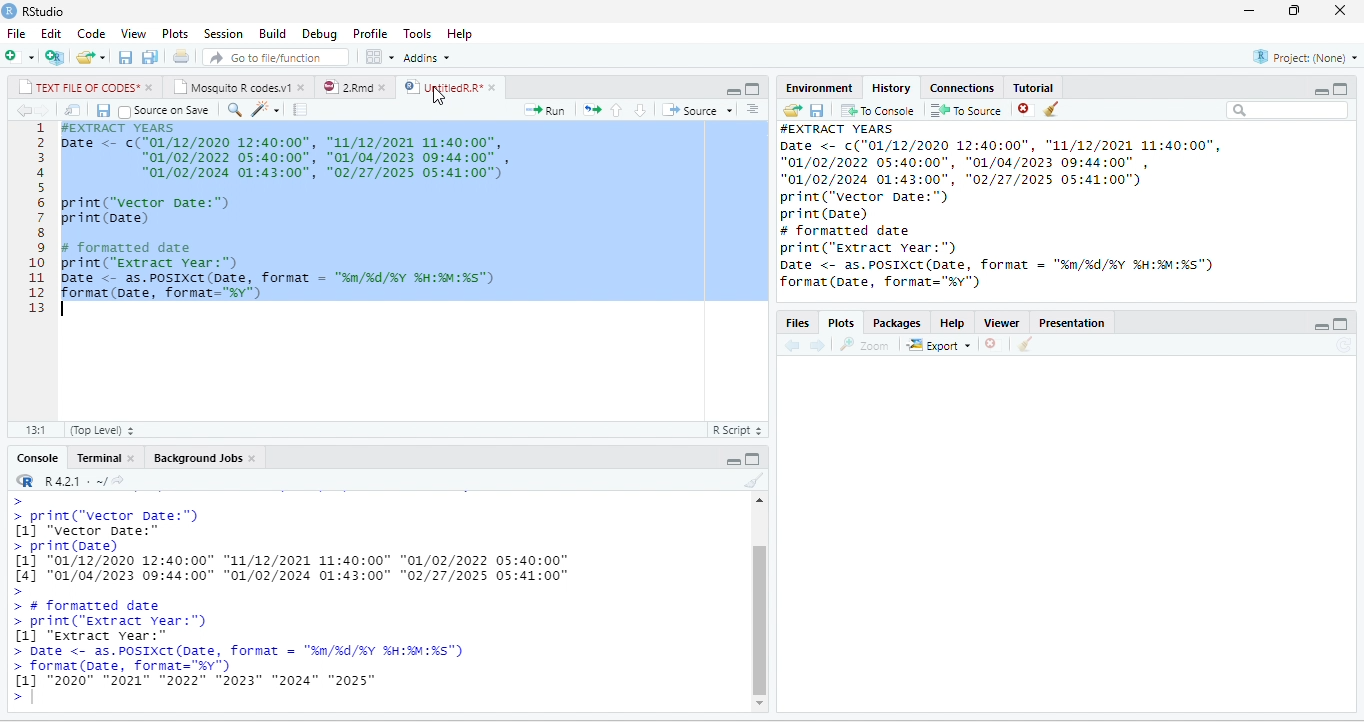  I want to click on save all, so click(149, 56).